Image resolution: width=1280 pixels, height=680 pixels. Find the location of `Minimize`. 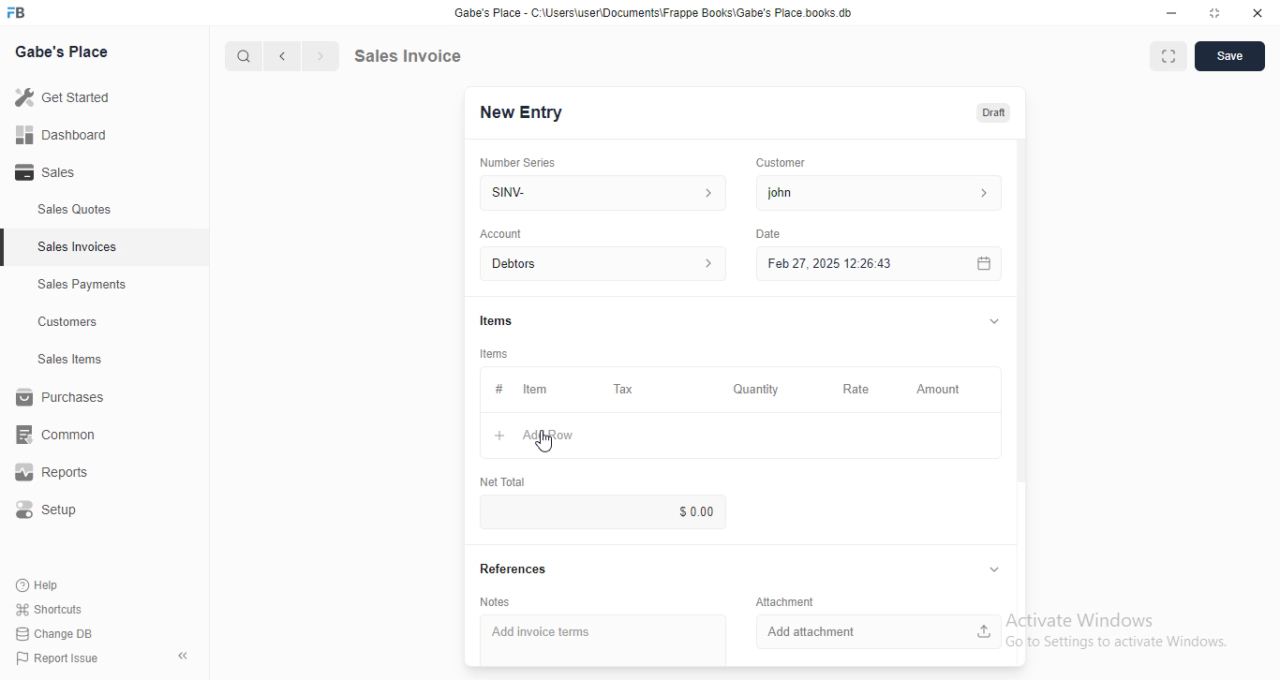

Minimize is located at coordinates (1169, 14).